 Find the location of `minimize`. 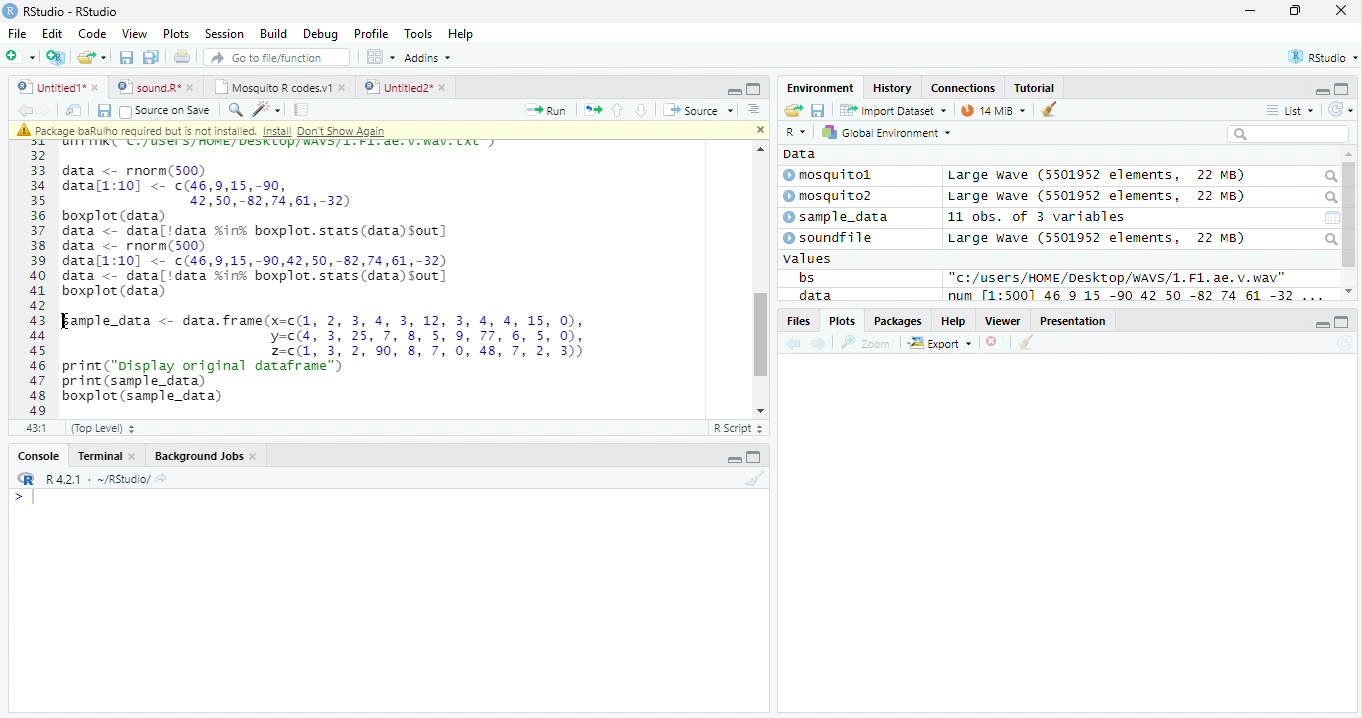

minimize is located at coordinates (1322, 323).